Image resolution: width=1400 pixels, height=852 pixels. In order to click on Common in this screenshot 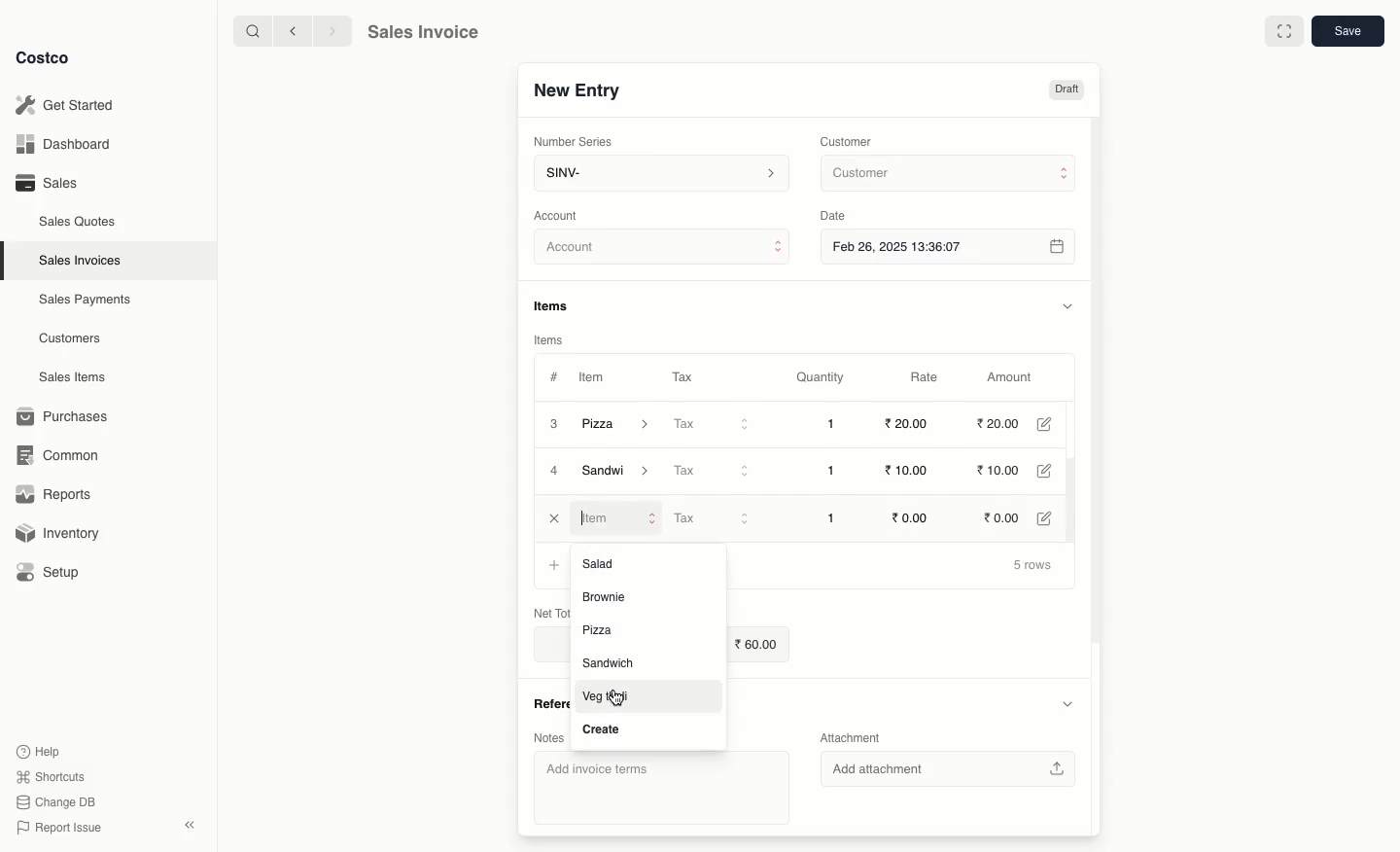, I will do `click(66, 455)`.